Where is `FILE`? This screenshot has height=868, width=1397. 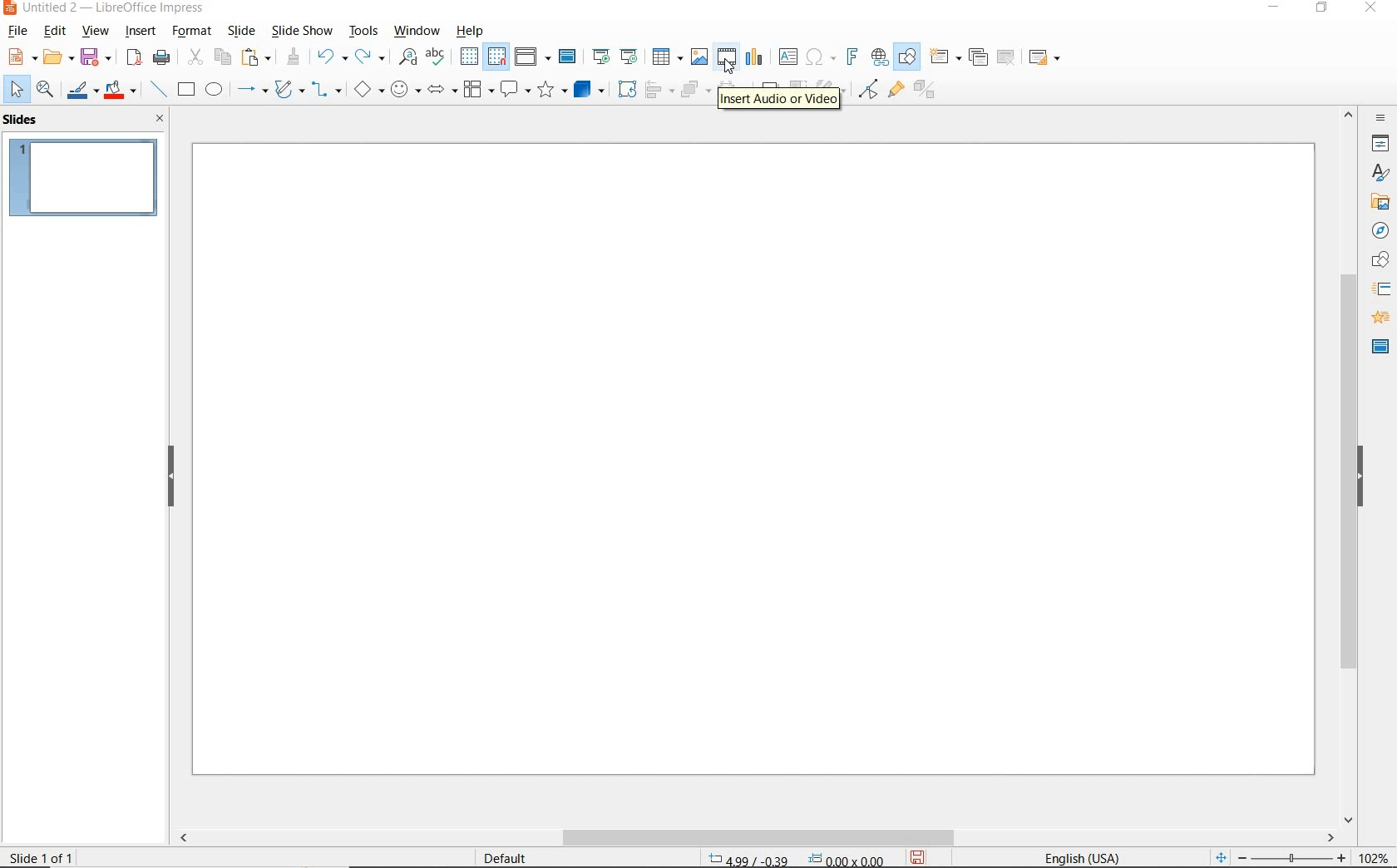 FILE is located at coordinates (15, 32).